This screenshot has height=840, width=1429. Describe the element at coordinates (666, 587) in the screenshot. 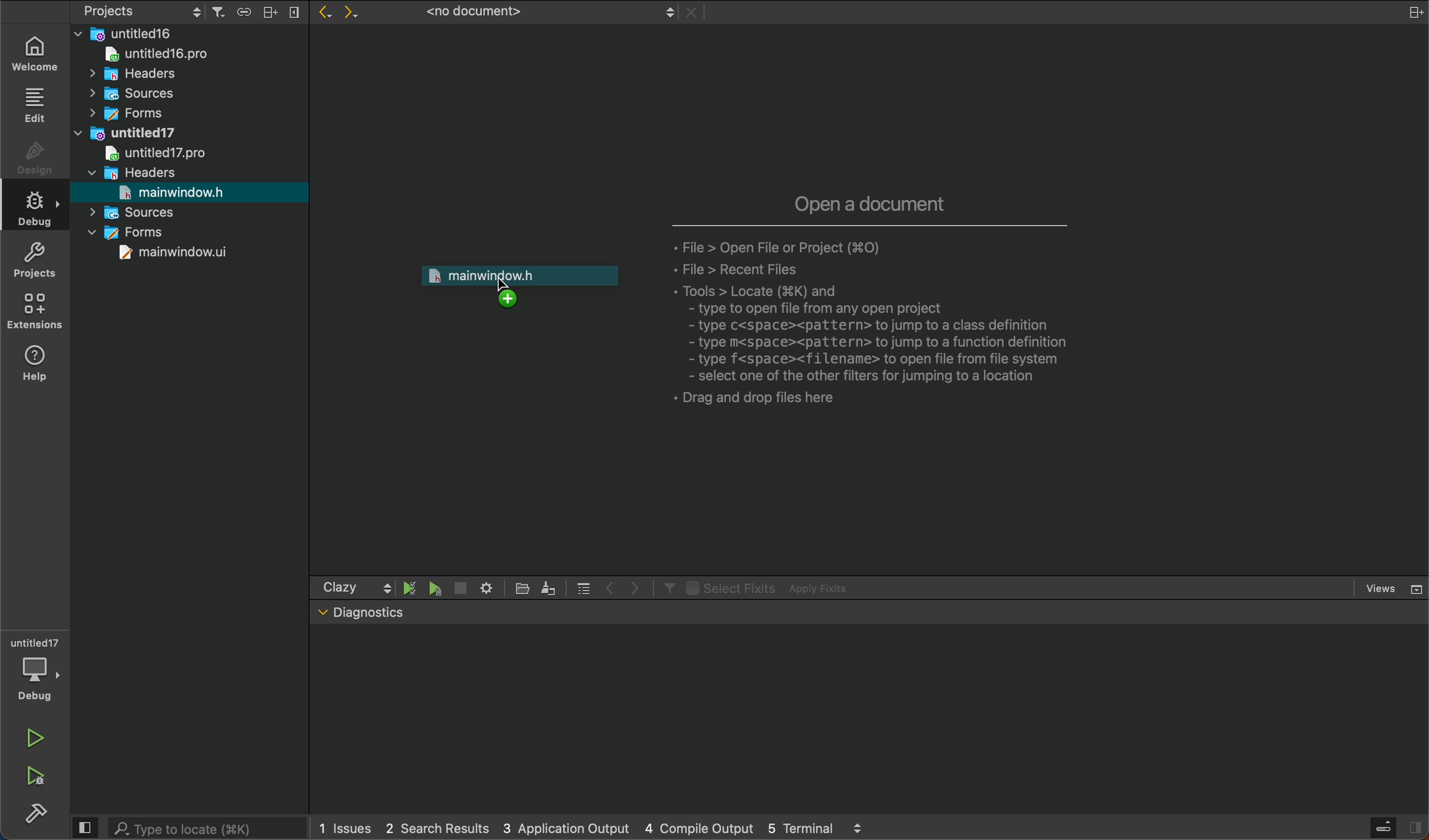

I see `Filter` at that location.